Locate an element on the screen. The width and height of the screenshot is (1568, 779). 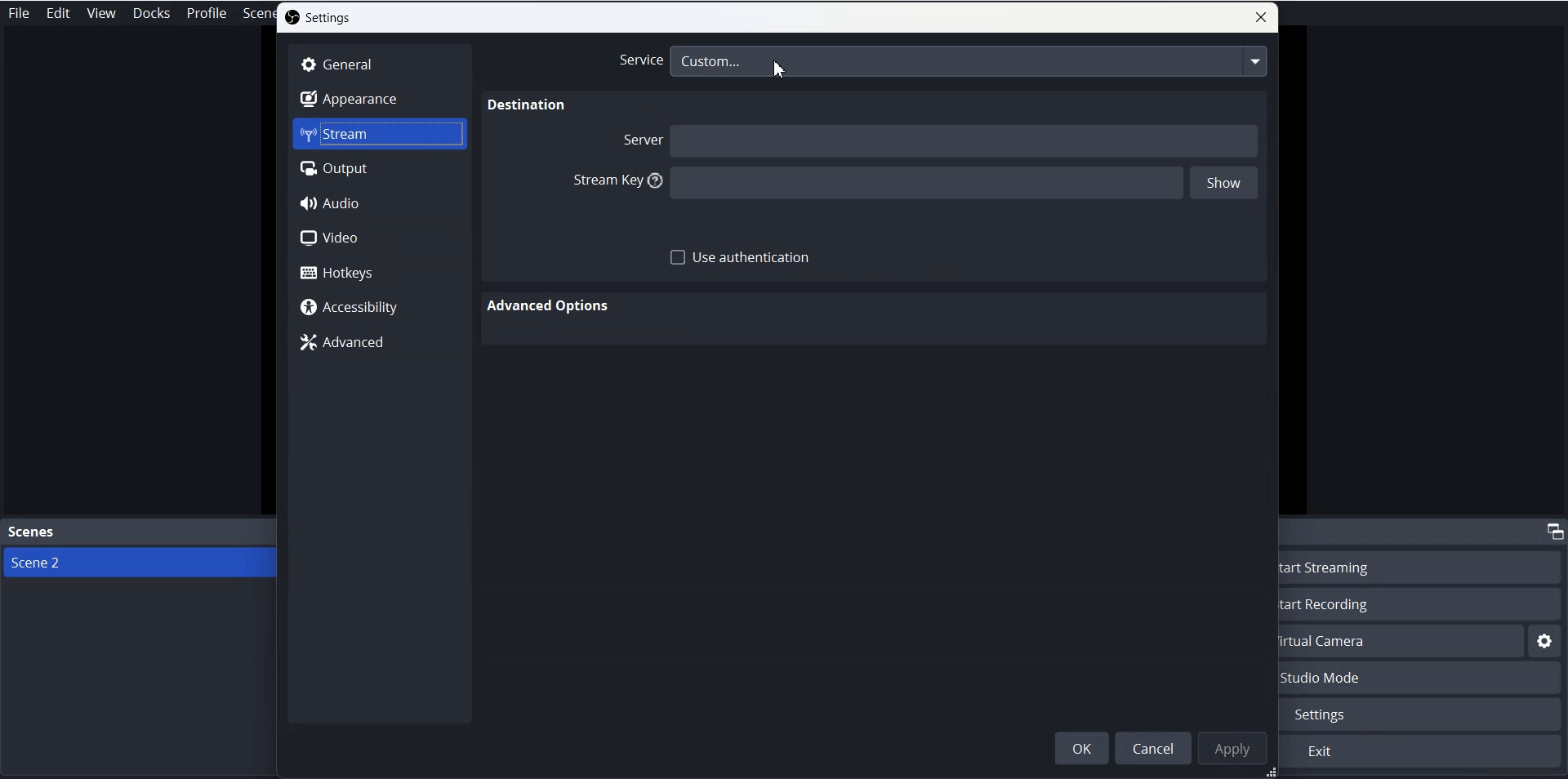
Service Custom... is located at coordinates (942, 61).